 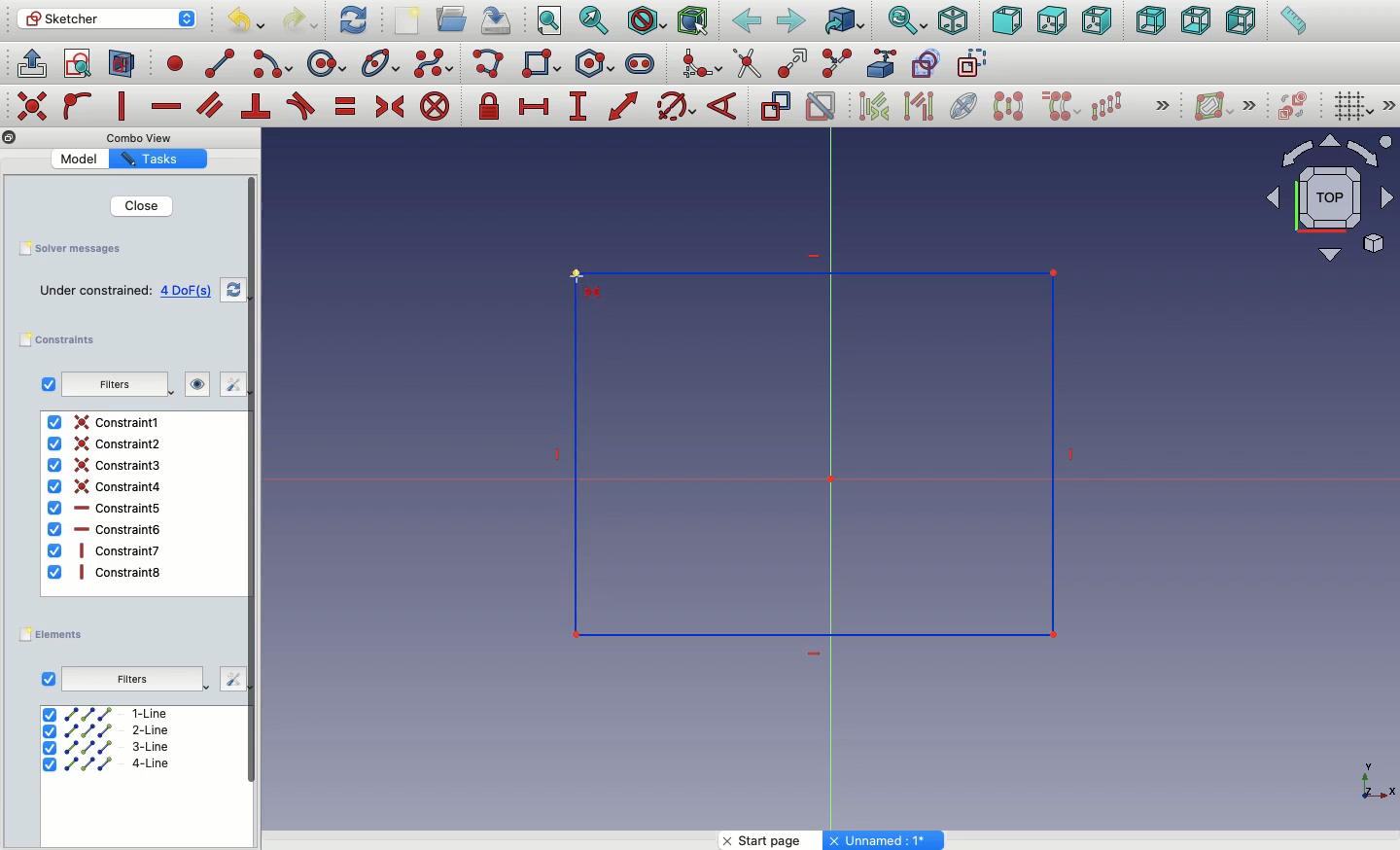 What do you see at coordinates (773, 840) in the screenshot?
I see `Start page` at bounding box center [773, 840].